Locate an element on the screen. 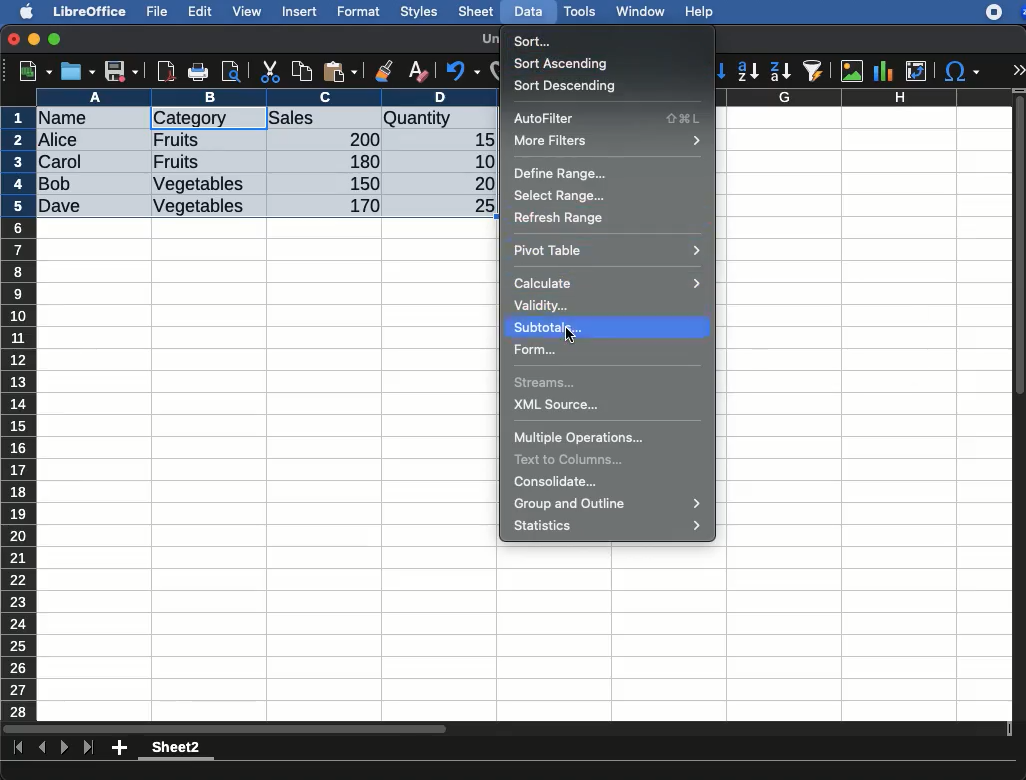 This screenshot has height=780, width=1026. scroll is located at coordinates (1021, 404).